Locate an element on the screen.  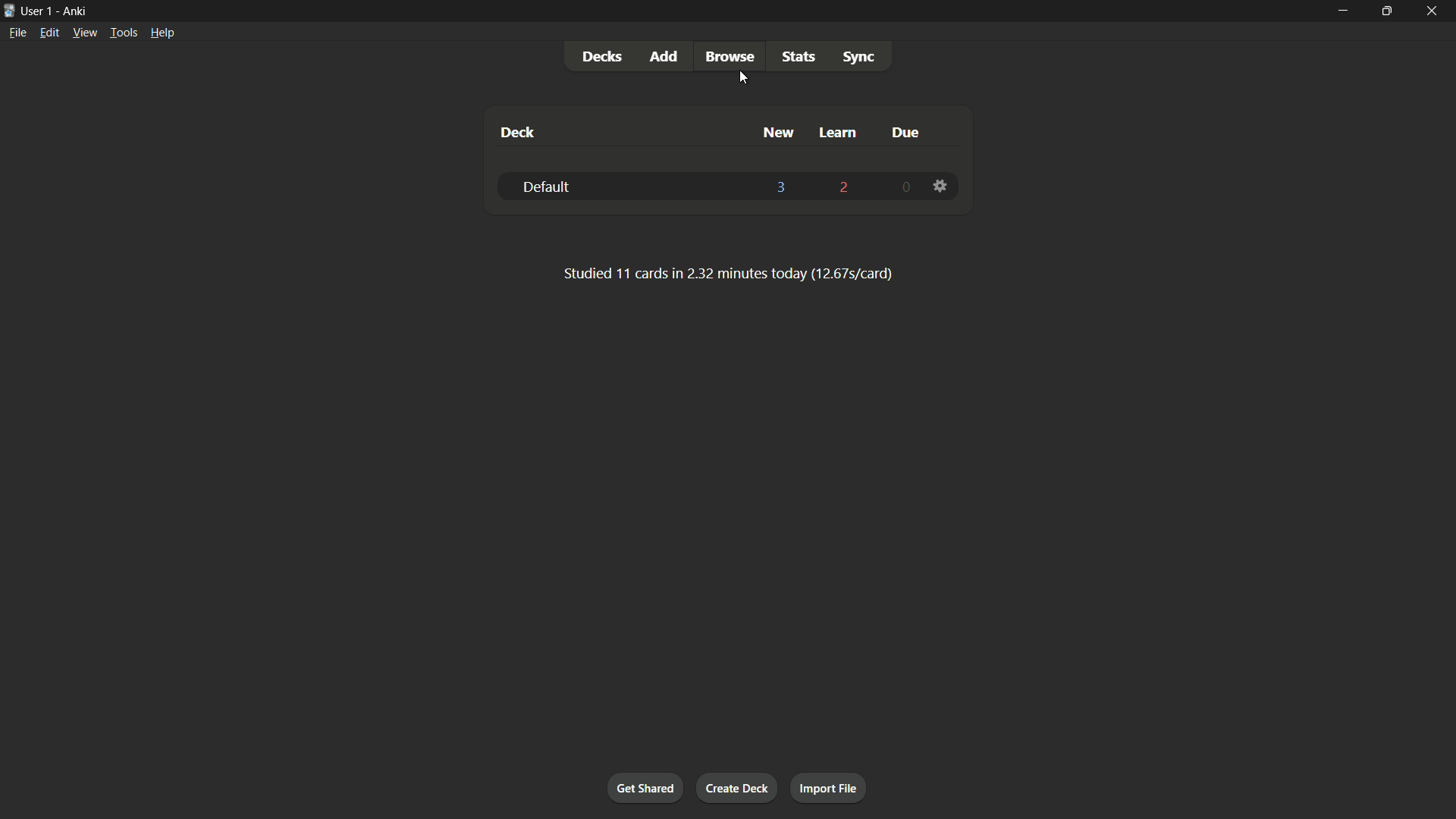
view menu is located at coordinates (86, 33).